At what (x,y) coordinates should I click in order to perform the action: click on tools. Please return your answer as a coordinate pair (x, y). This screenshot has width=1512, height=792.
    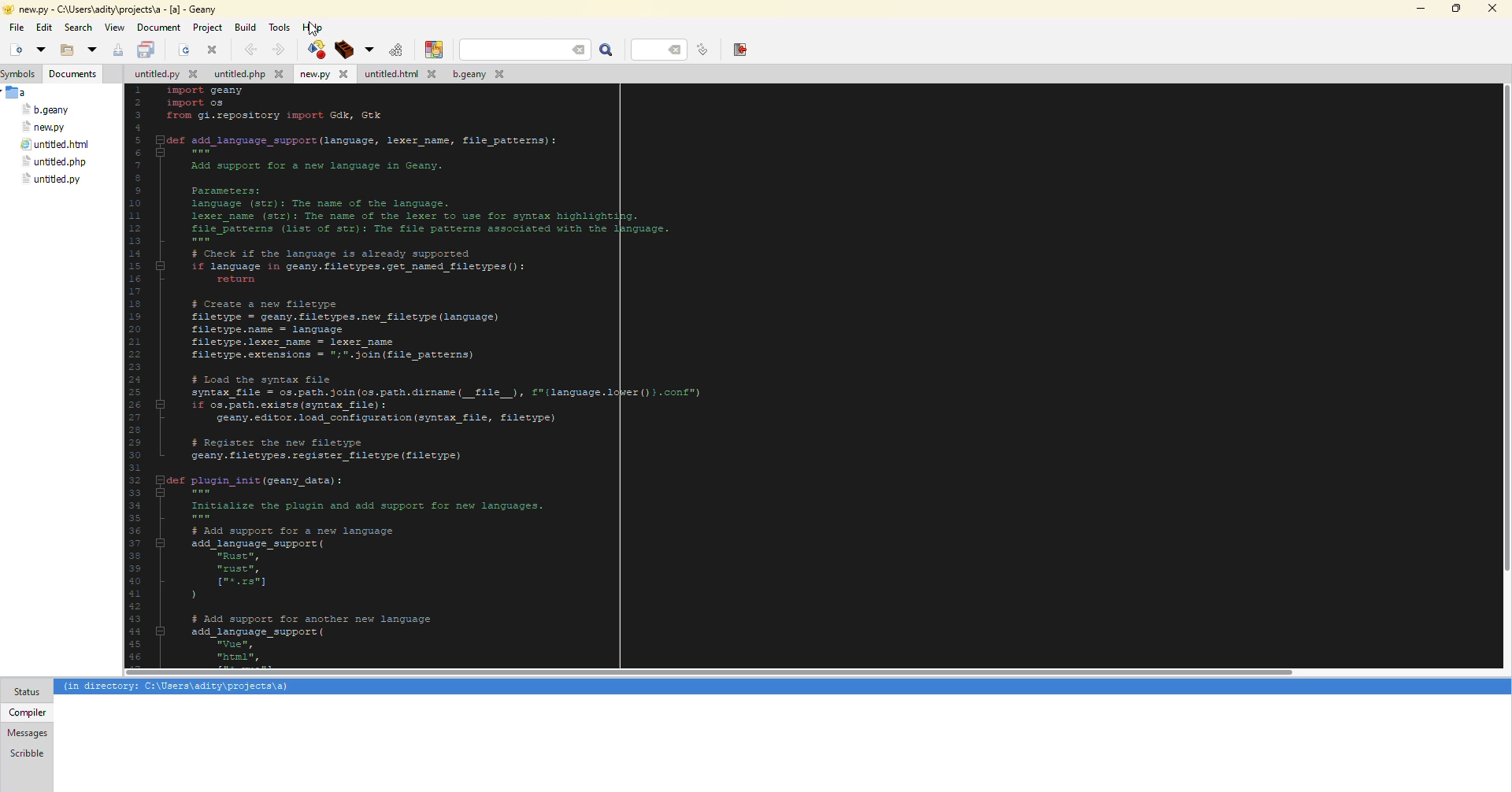
    Looking at the image, I should click on (282, 26).